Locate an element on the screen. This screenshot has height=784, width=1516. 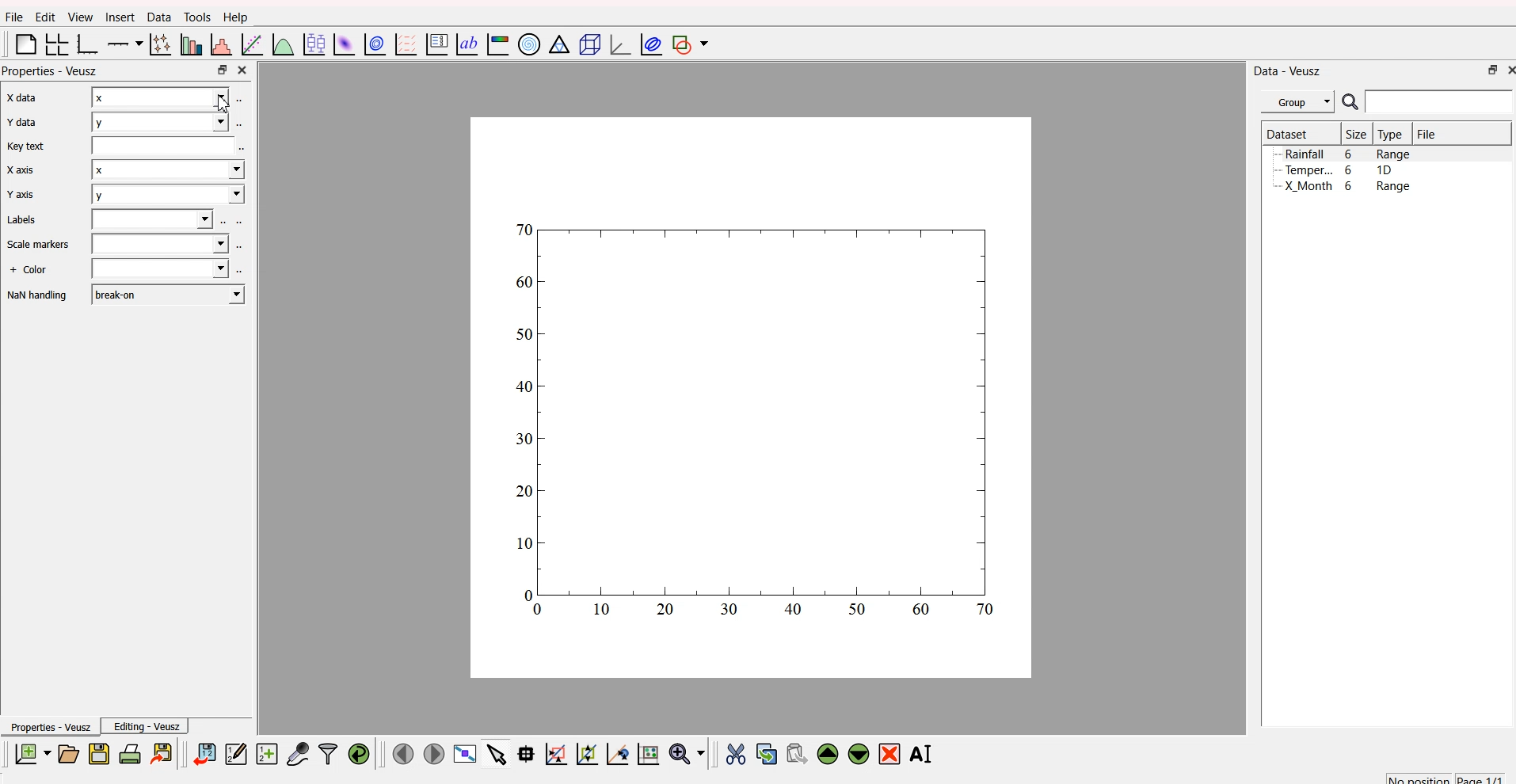
view plot full screen is located at coordinates (465, 754).